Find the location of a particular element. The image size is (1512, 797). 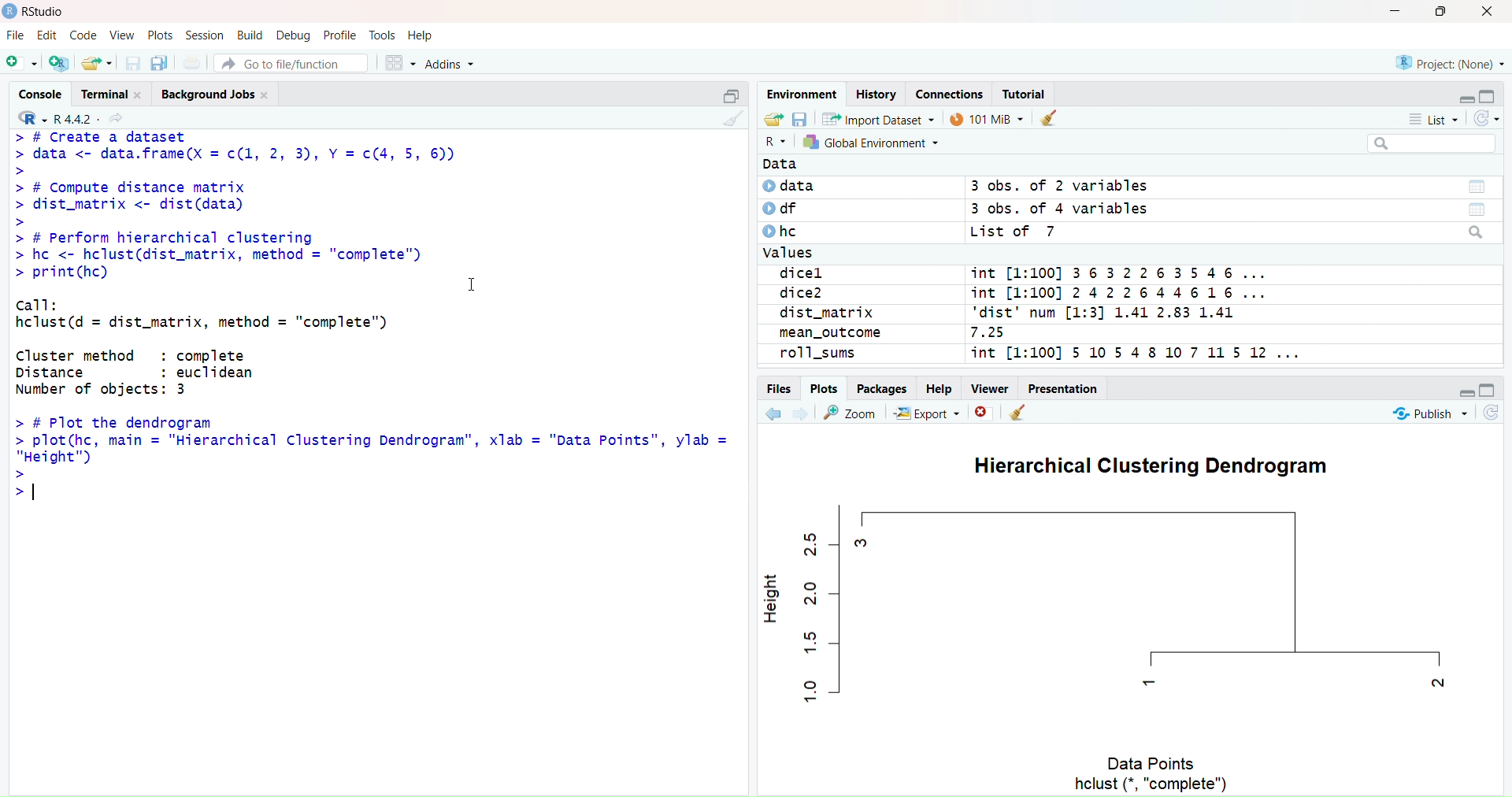

Plots is located at coordinates (825, 387).